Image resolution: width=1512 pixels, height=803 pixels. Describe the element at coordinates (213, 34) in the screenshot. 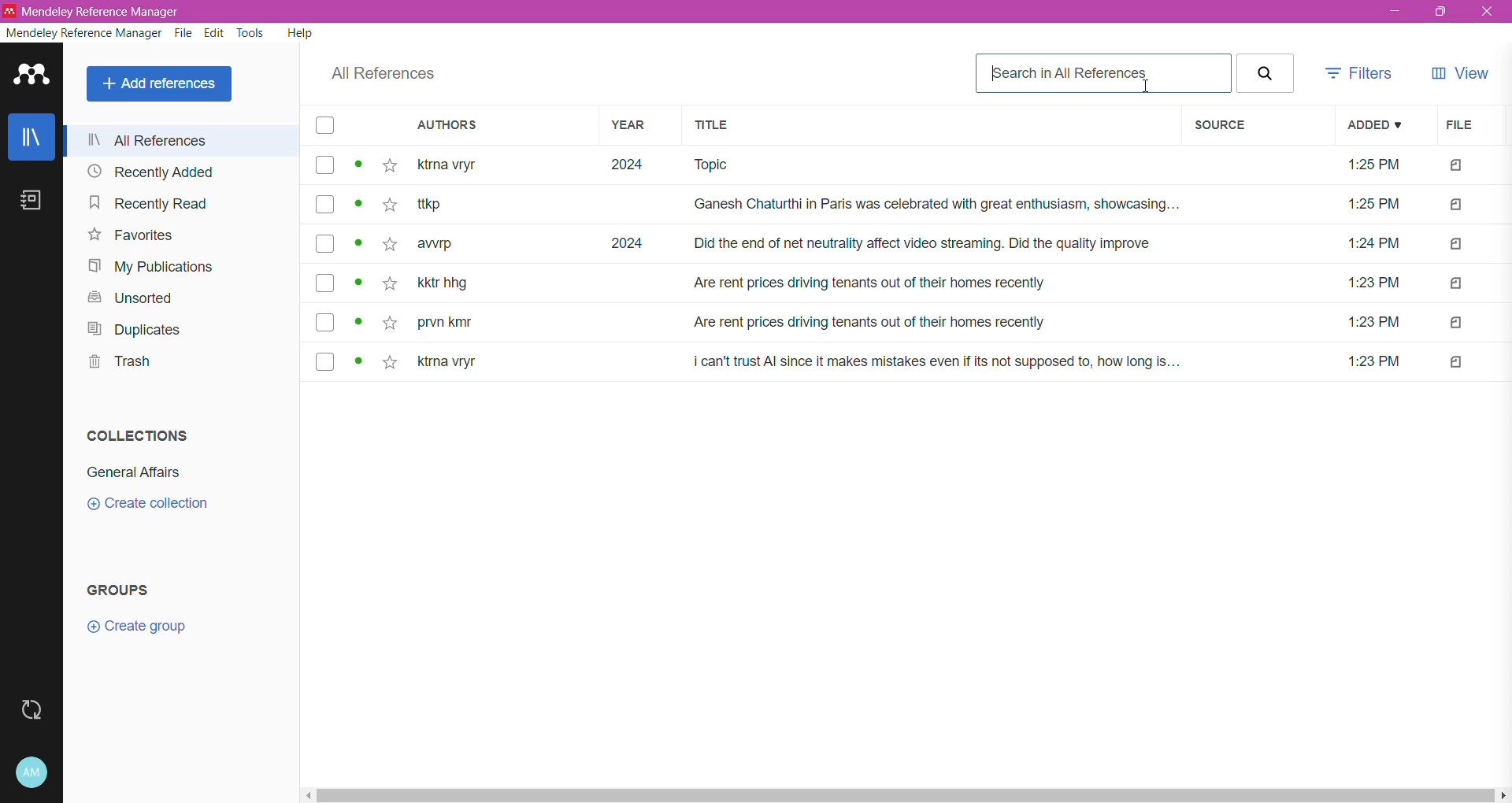

I see `Edit` at that location.